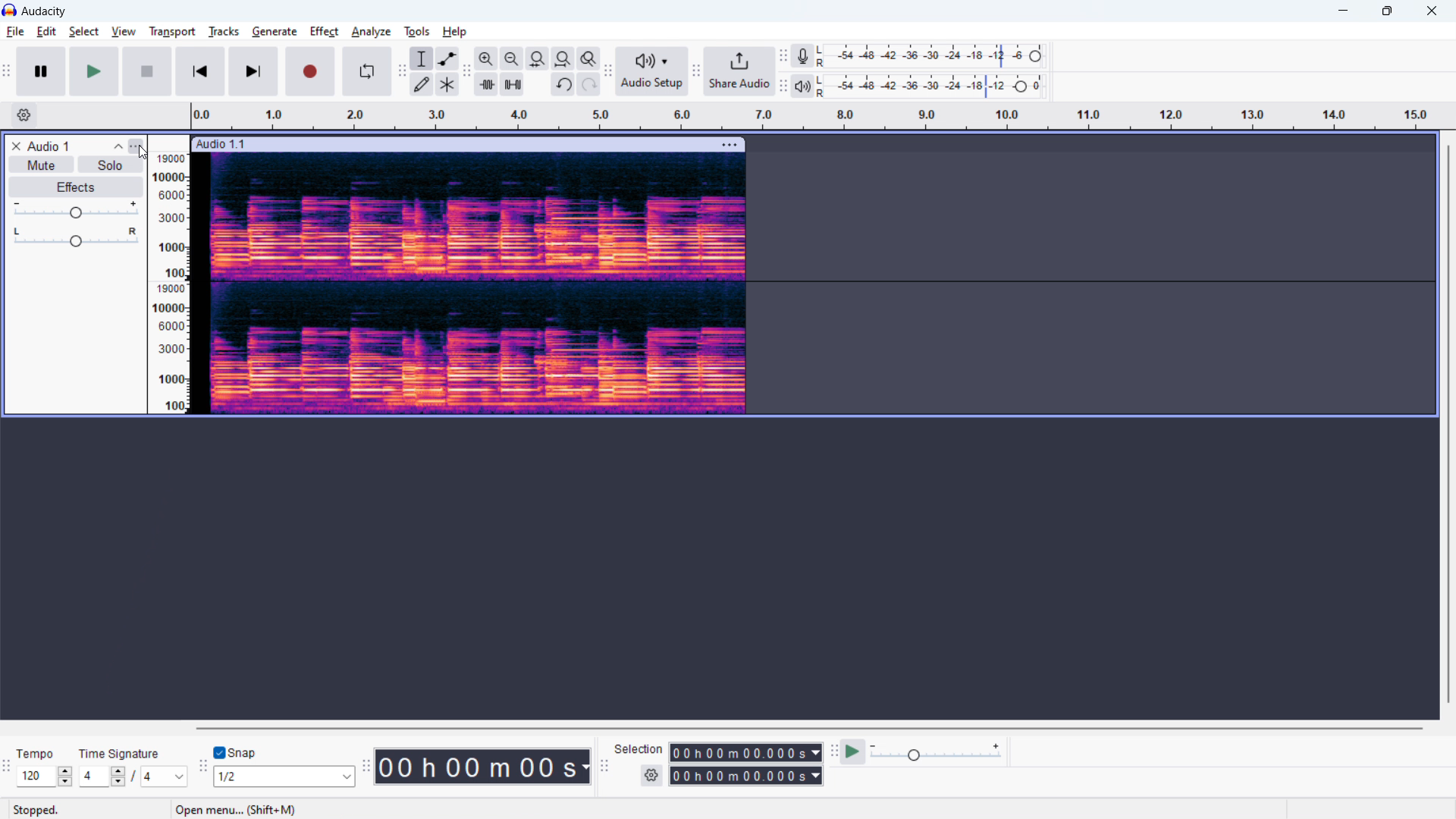 This screenshot has width=1456, height=819. What do you see at coordinates (284, 776) in the screenshot?
I see `select snapping` at bounding box center [284, 776].